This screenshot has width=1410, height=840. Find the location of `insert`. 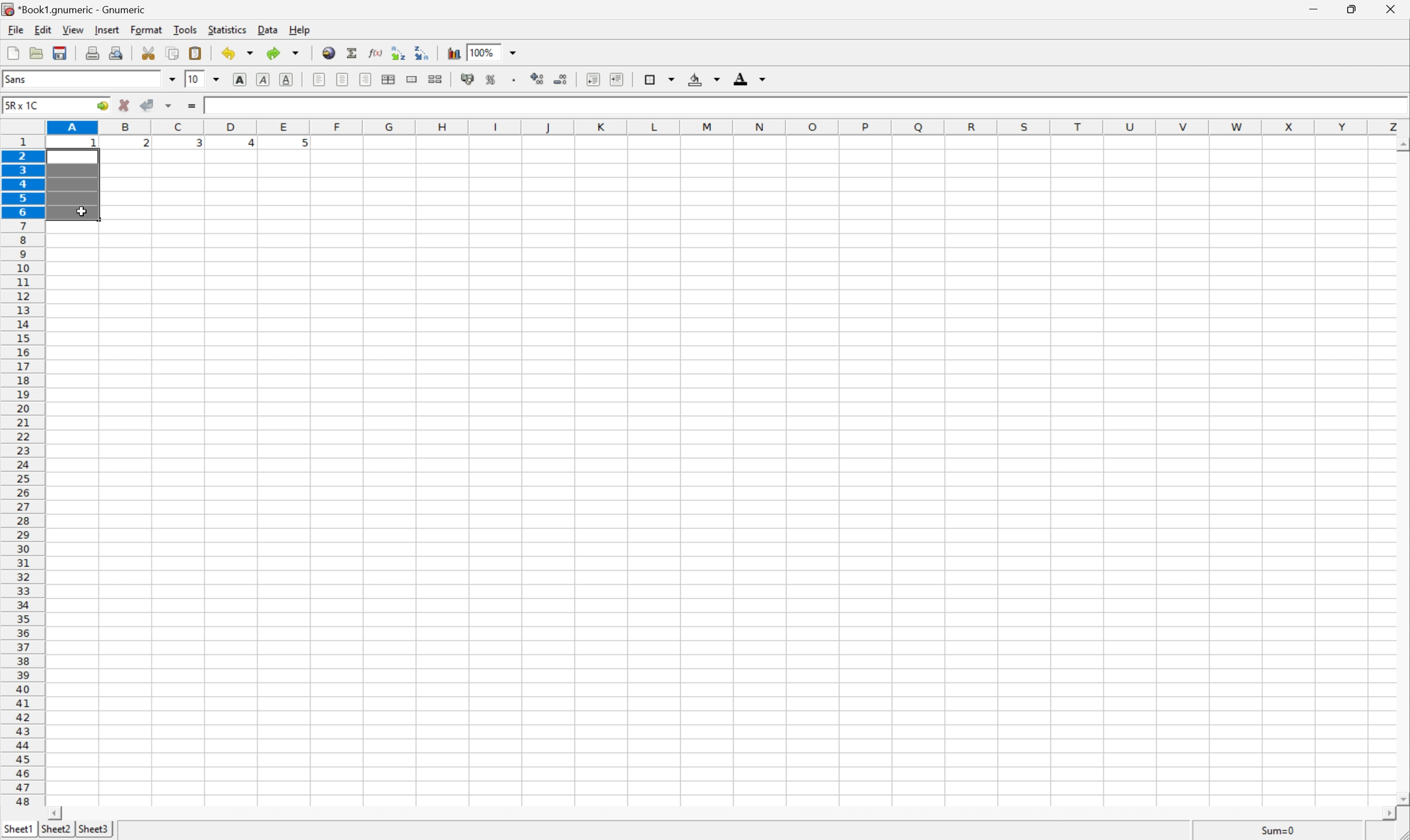

insert is located at coordinates (107, 29).